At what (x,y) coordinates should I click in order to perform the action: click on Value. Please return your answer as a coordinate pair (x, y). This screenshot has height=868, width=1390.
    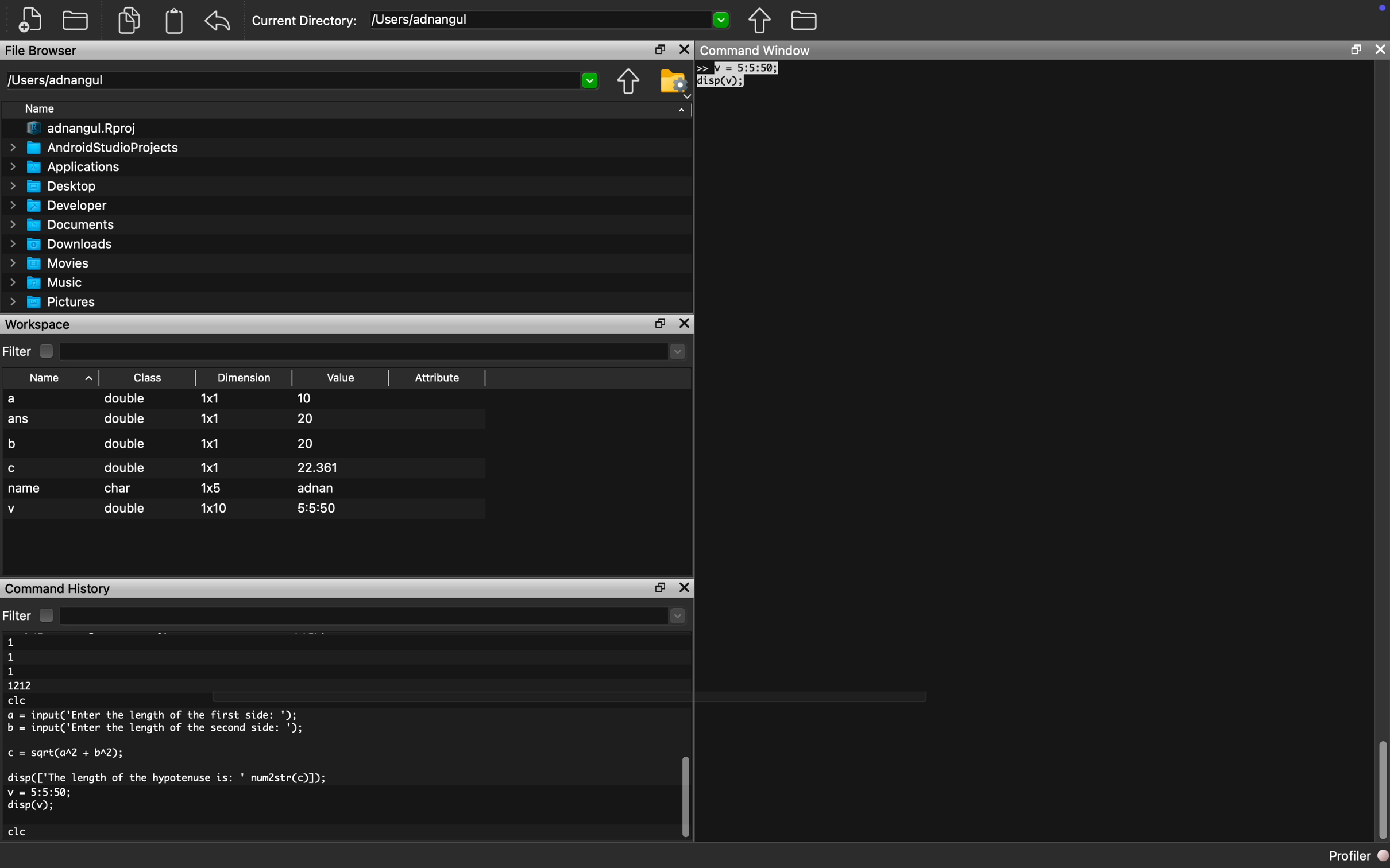
    Looking at the image, I should click on (341, 377).